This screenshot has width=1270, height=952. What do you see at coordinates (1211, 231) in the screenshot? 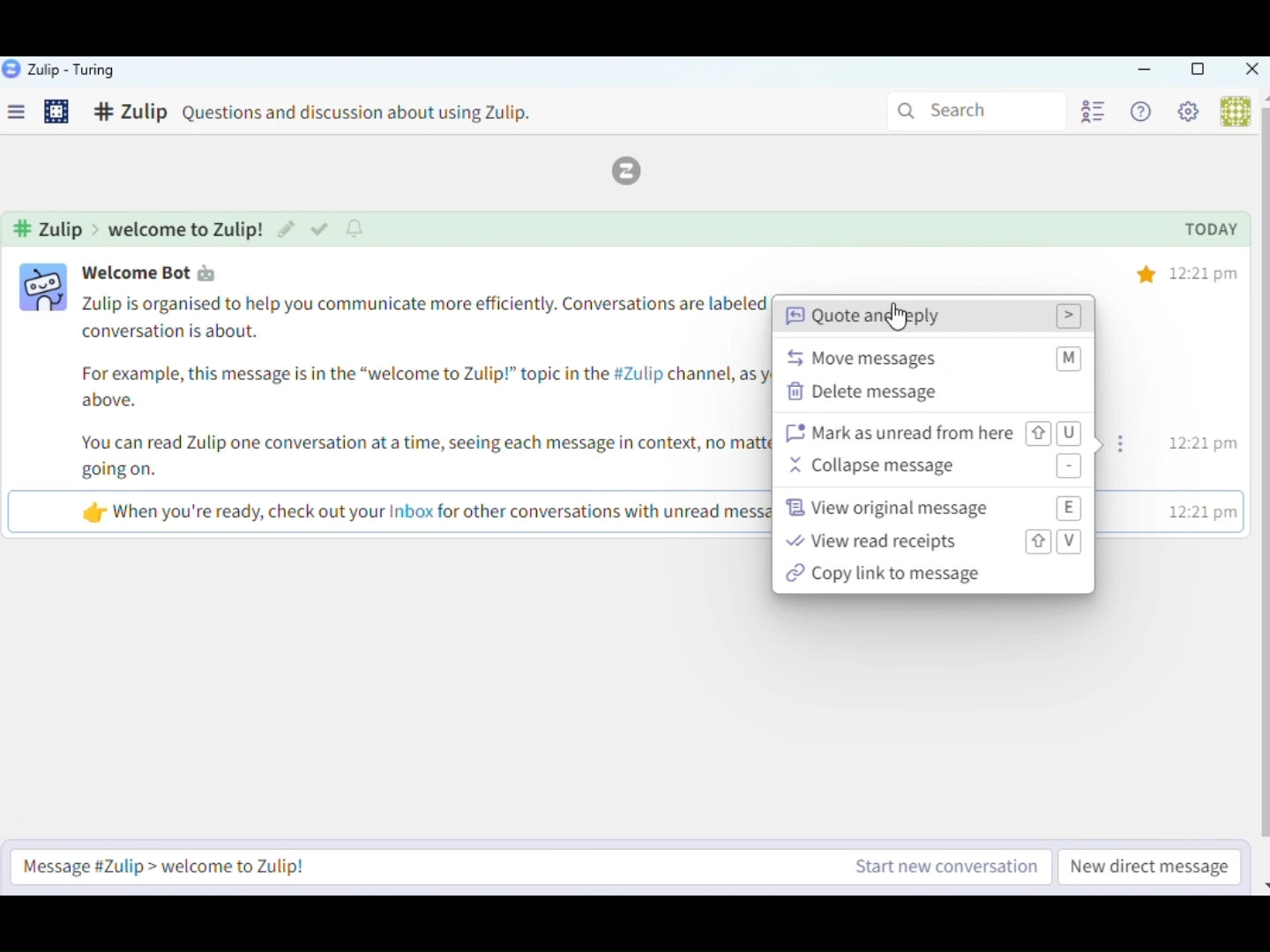
I see `today` at bounding box center [1211, 231].